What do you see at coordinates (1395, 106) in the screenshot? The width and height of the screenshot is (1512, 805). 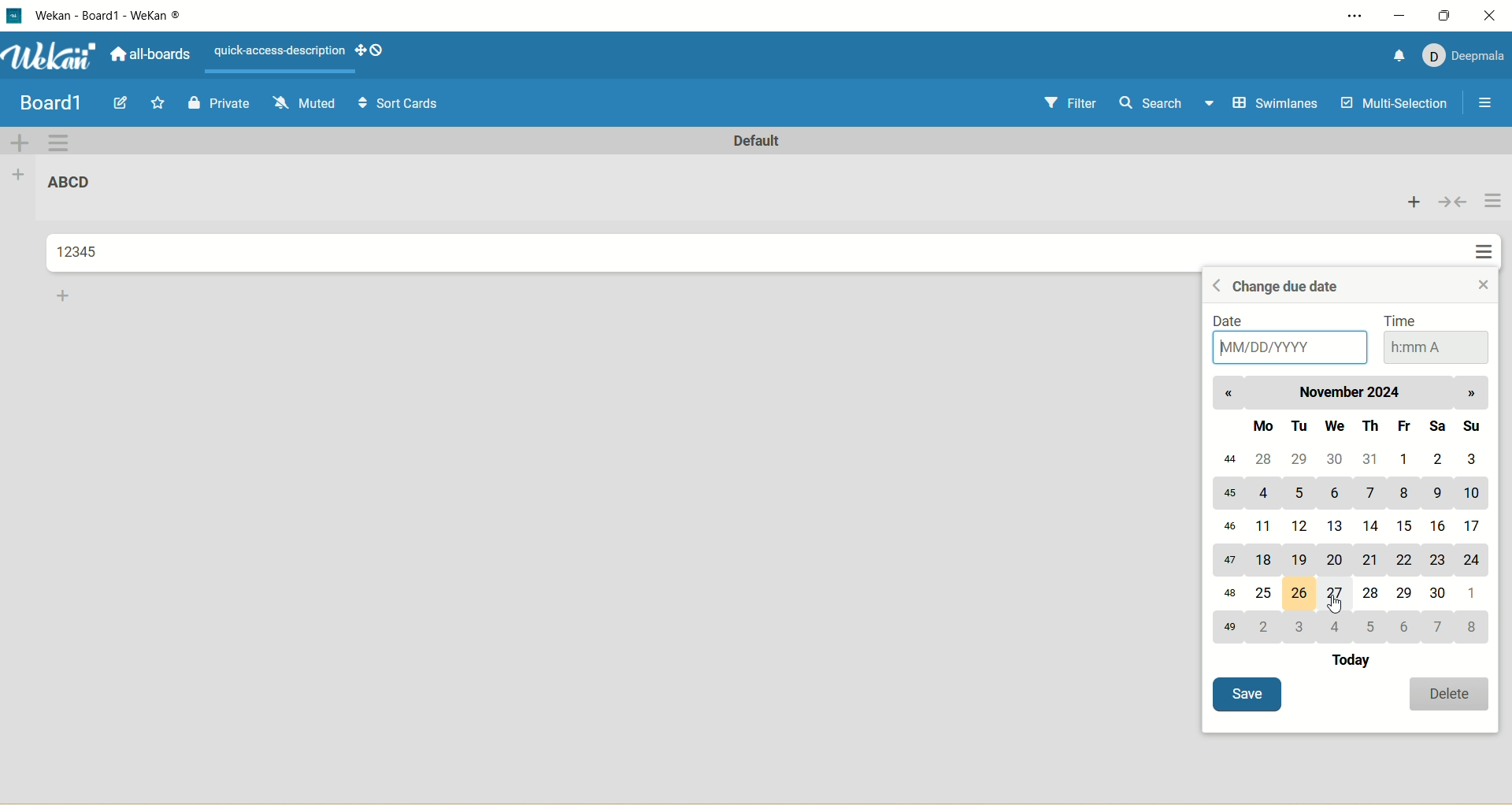 I see `multi-selection` at bounding box center [1395, 106].